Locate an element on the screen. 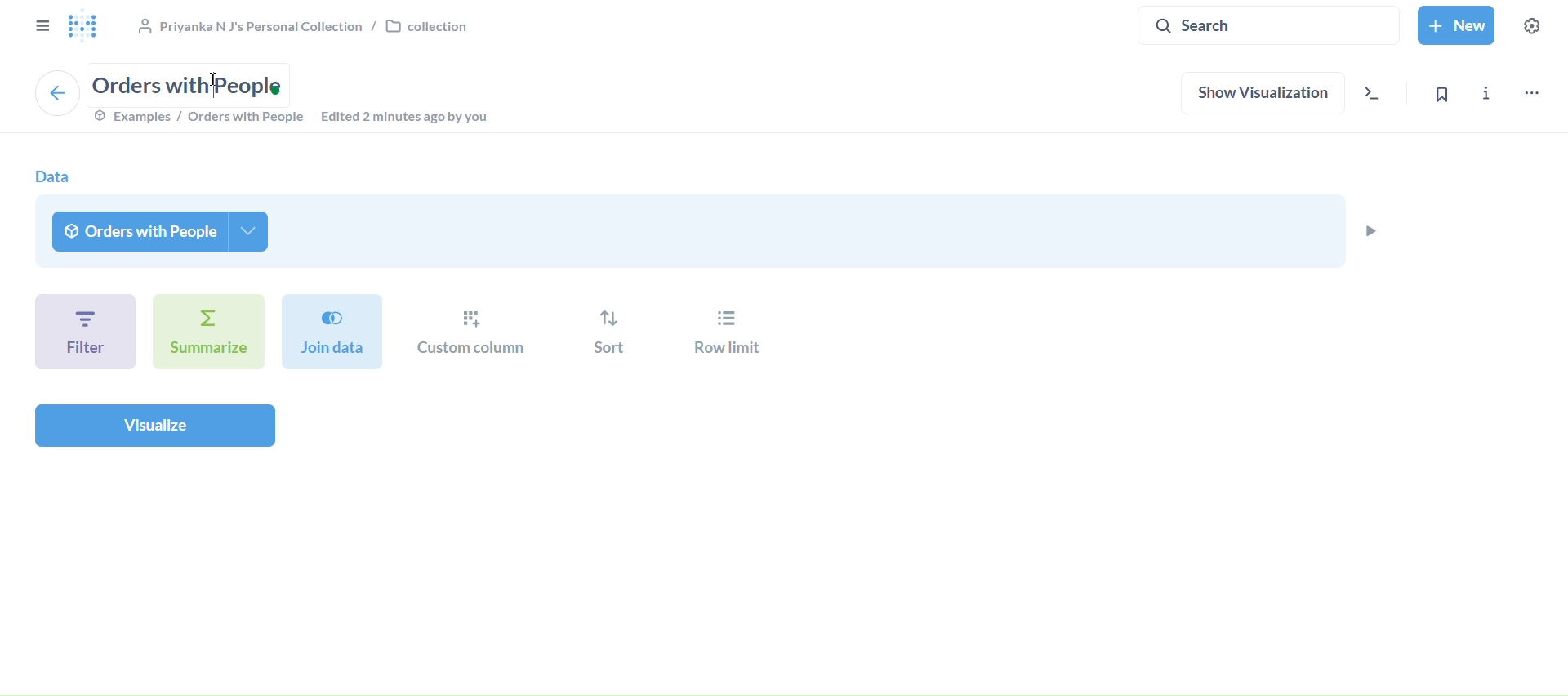 This screenshot has height=696, width=1568. search is located at coordinates (1269, 24).